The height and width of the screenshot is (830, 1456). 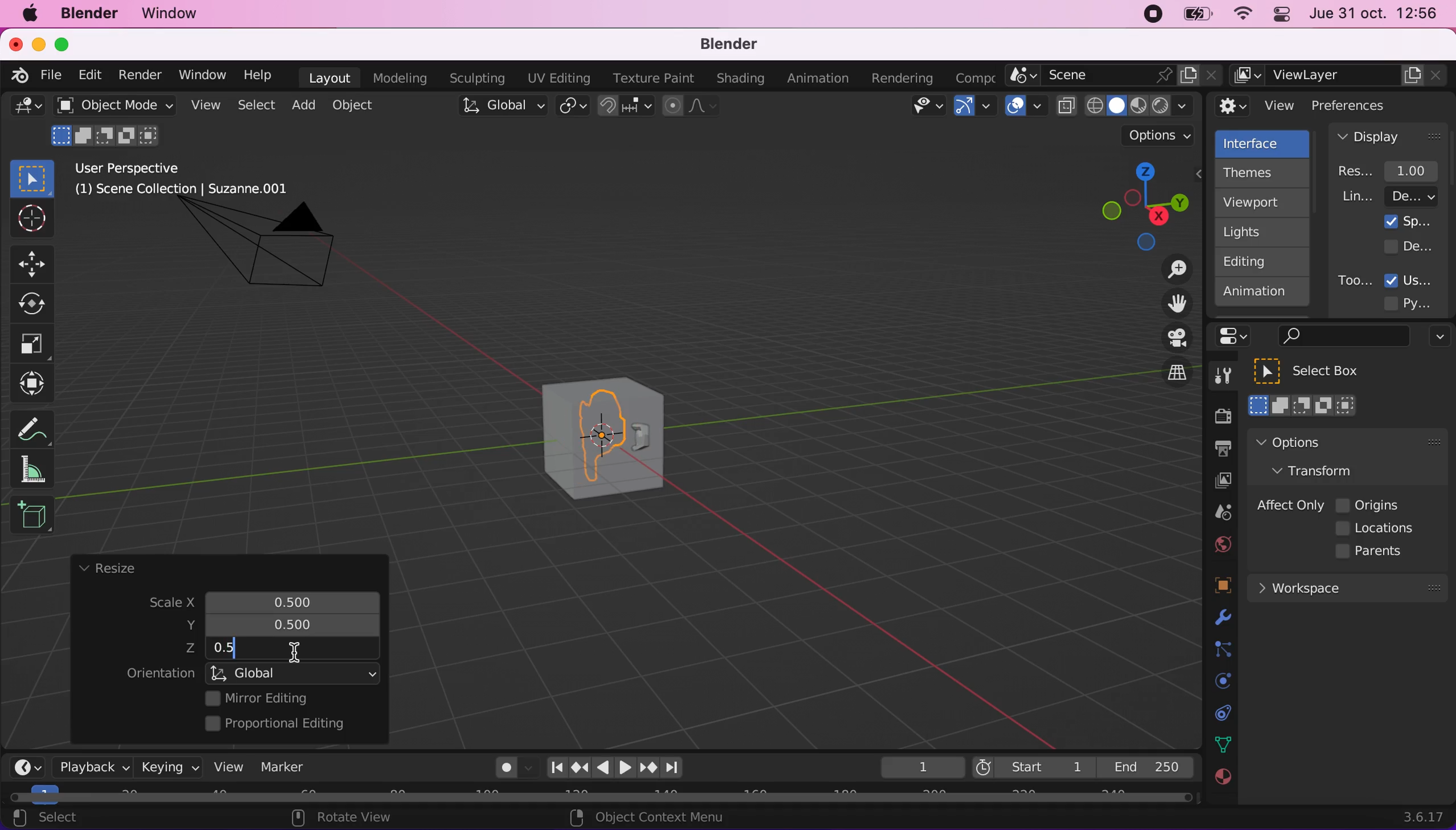 I want to click on python tooltips, so click(x=1421, y=302).